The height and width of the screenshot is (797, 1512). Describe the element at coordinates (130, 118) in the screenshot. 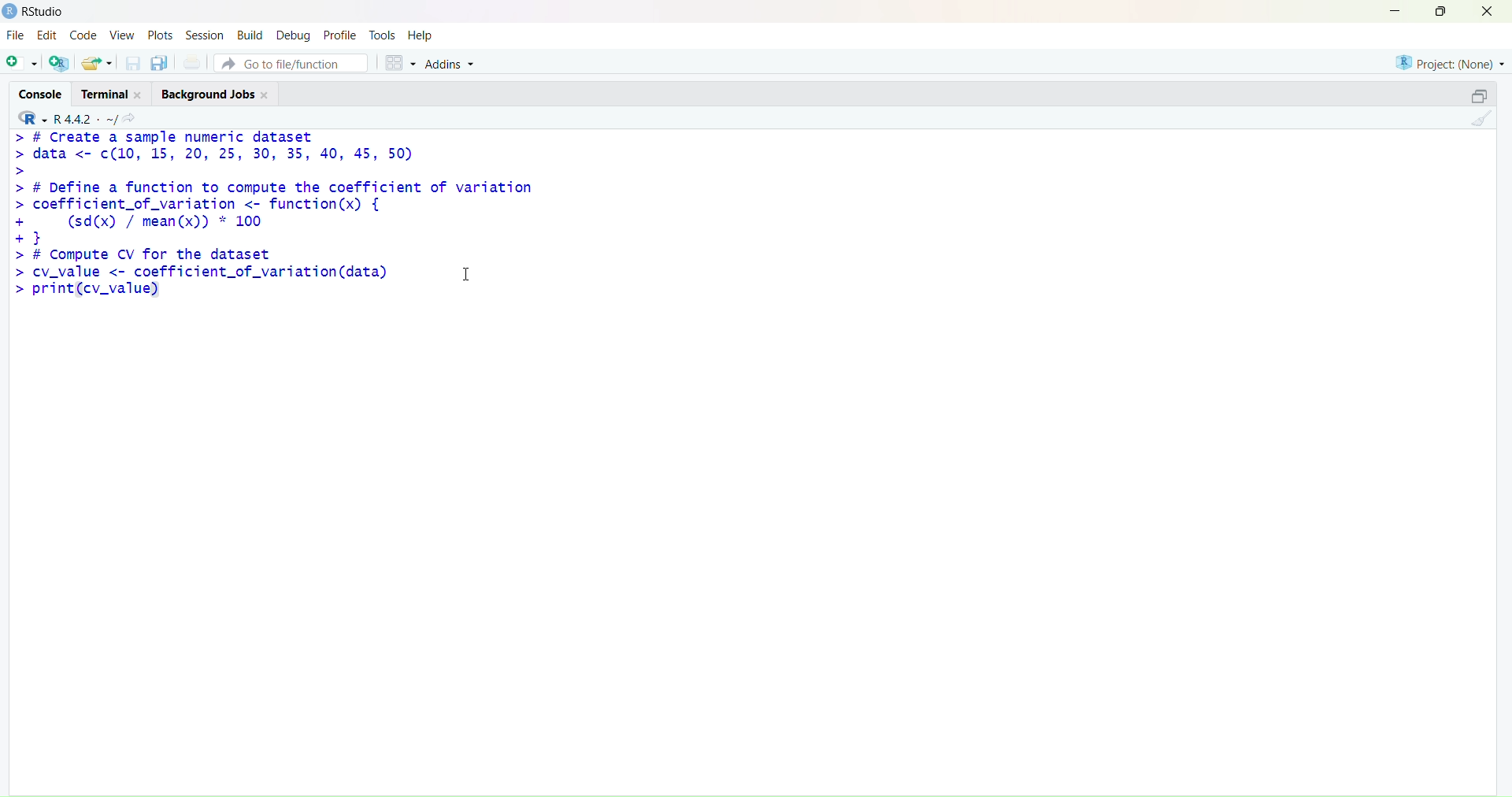

I see `share icon` at that location.